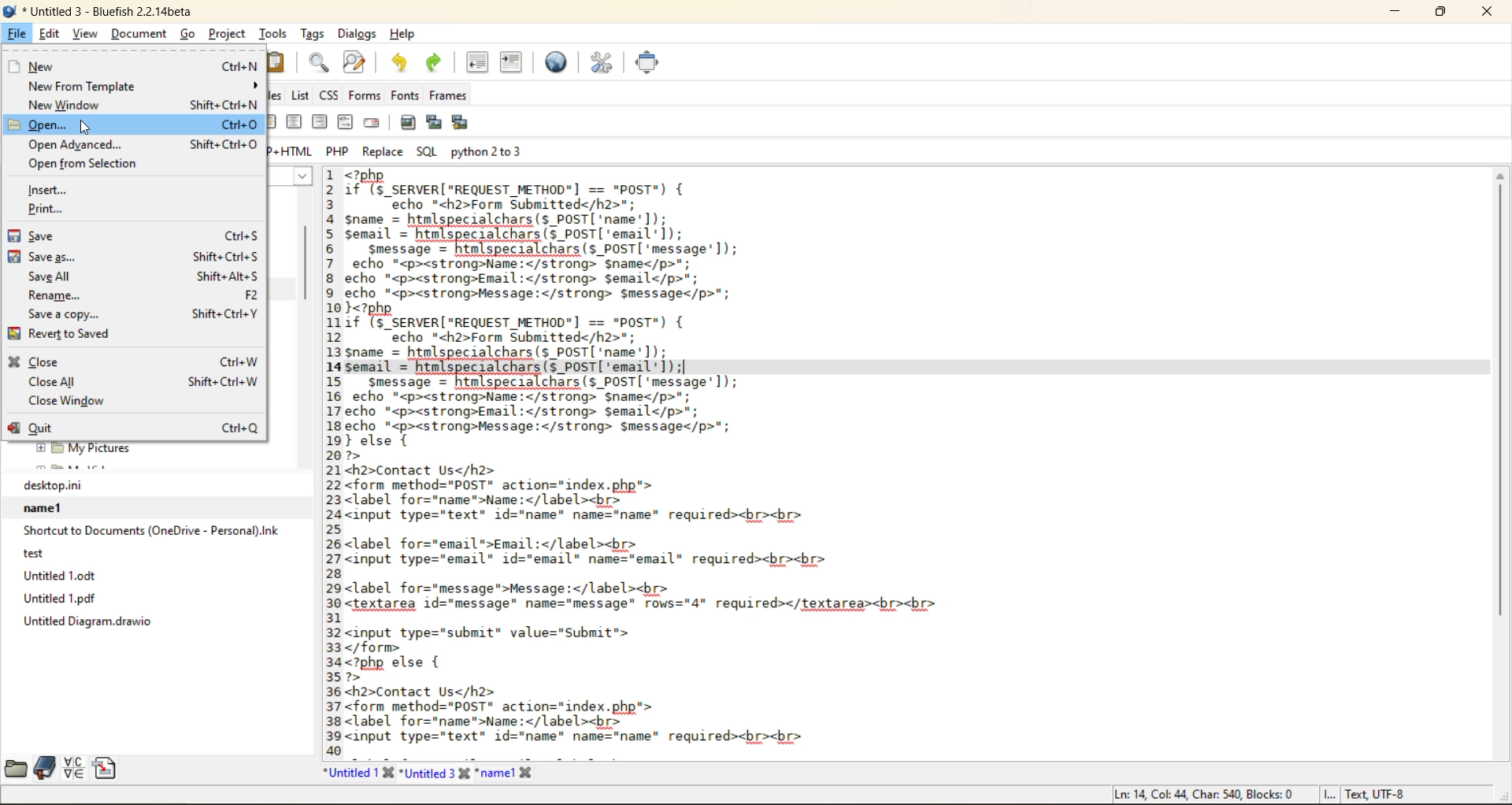 The image size is (1512, 805). What do you see at coordinates (425, 150) in the screenshot?
I see `sql` at bounding box center [425, 150].